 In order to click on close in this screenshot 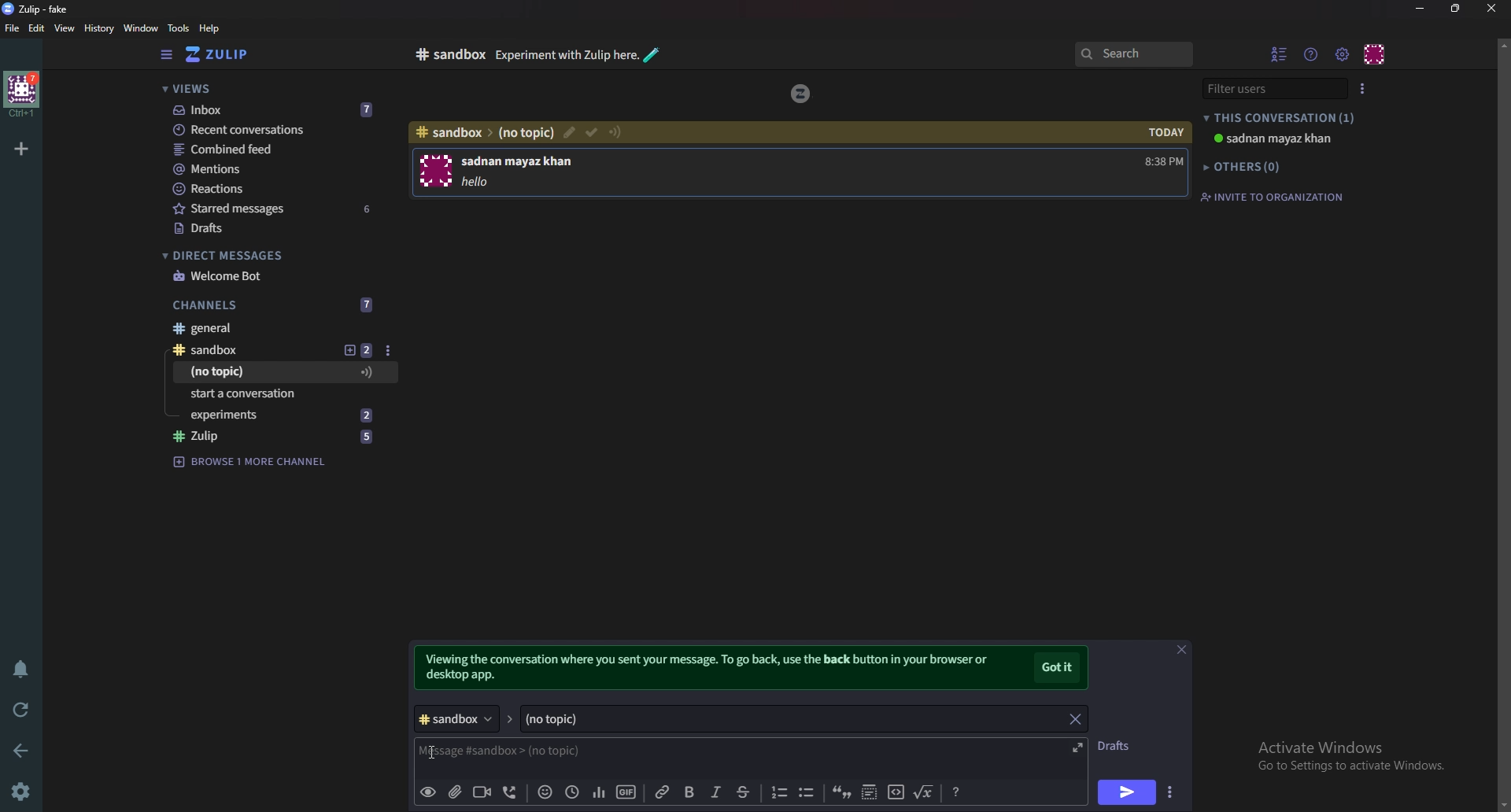, I will do `click(1181, 708)`.